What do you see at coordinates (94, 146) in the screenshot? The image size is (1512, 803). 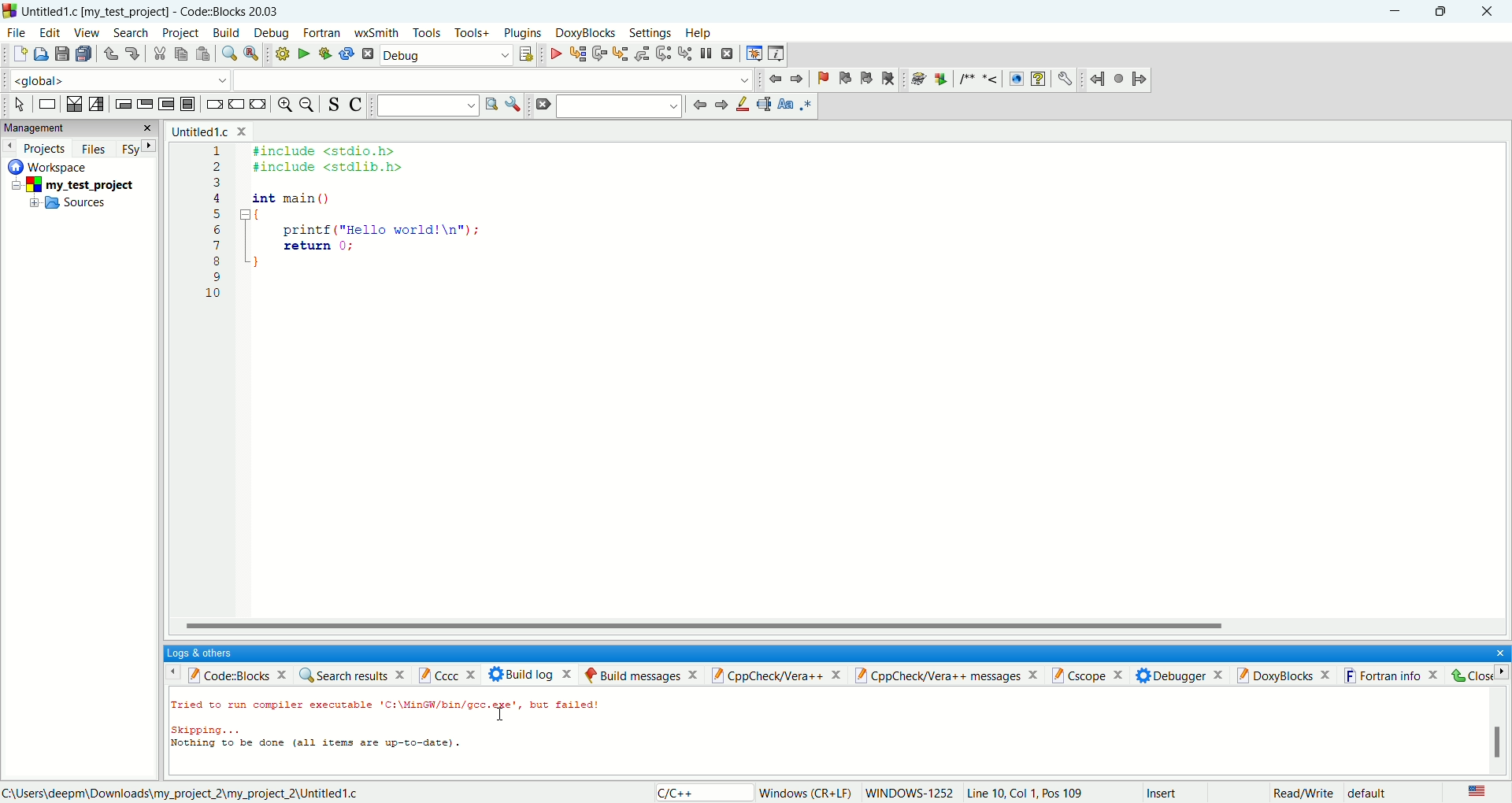 I see `Flies` at bounding box center [94, 146].